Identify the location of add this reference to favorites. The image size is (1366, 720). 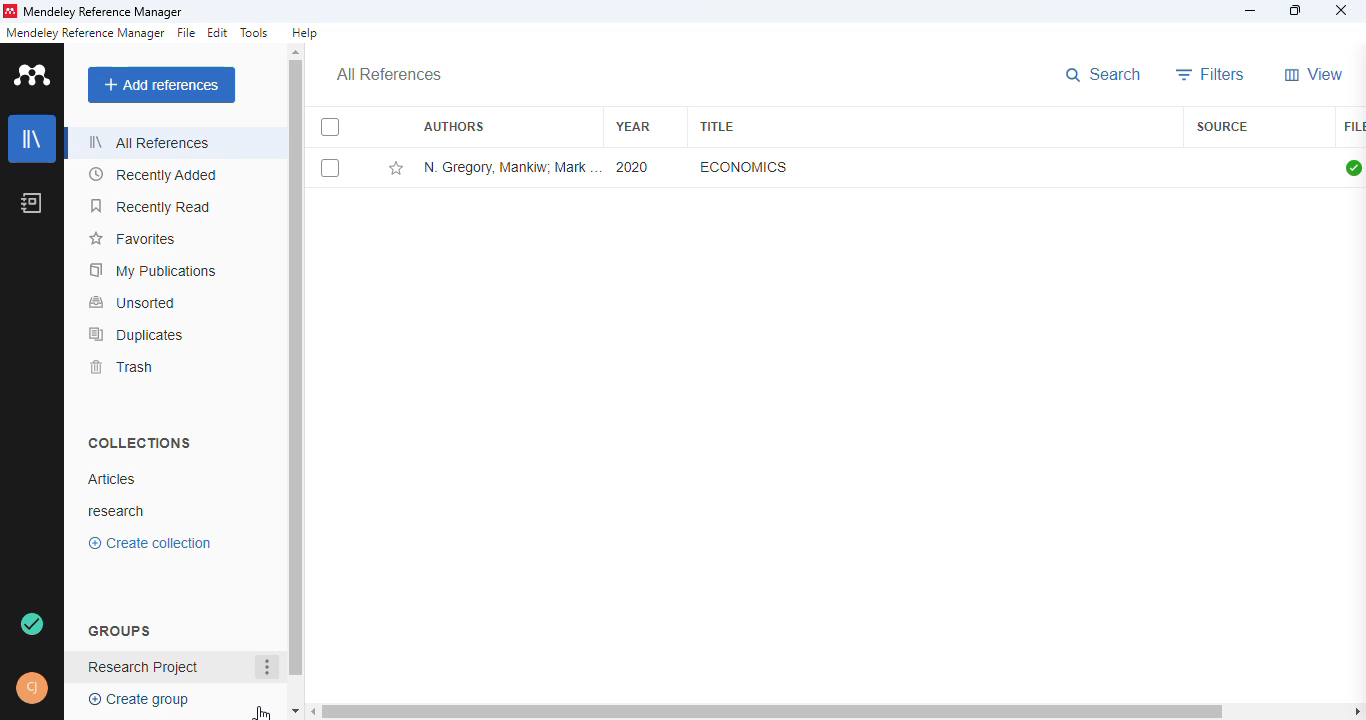
(397, 169).